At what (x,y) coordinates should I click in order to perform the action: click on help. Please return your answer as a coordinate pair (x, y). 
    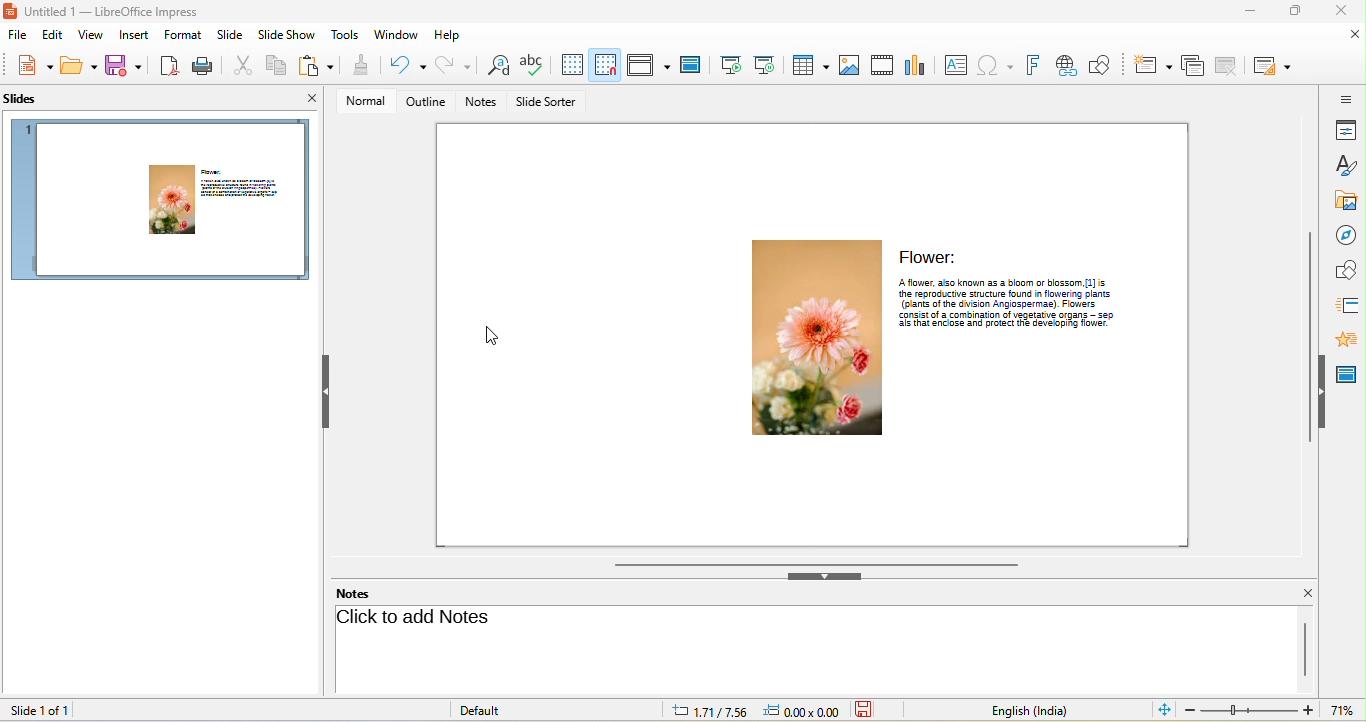
    Looking at the image, I should click on (448, 36).